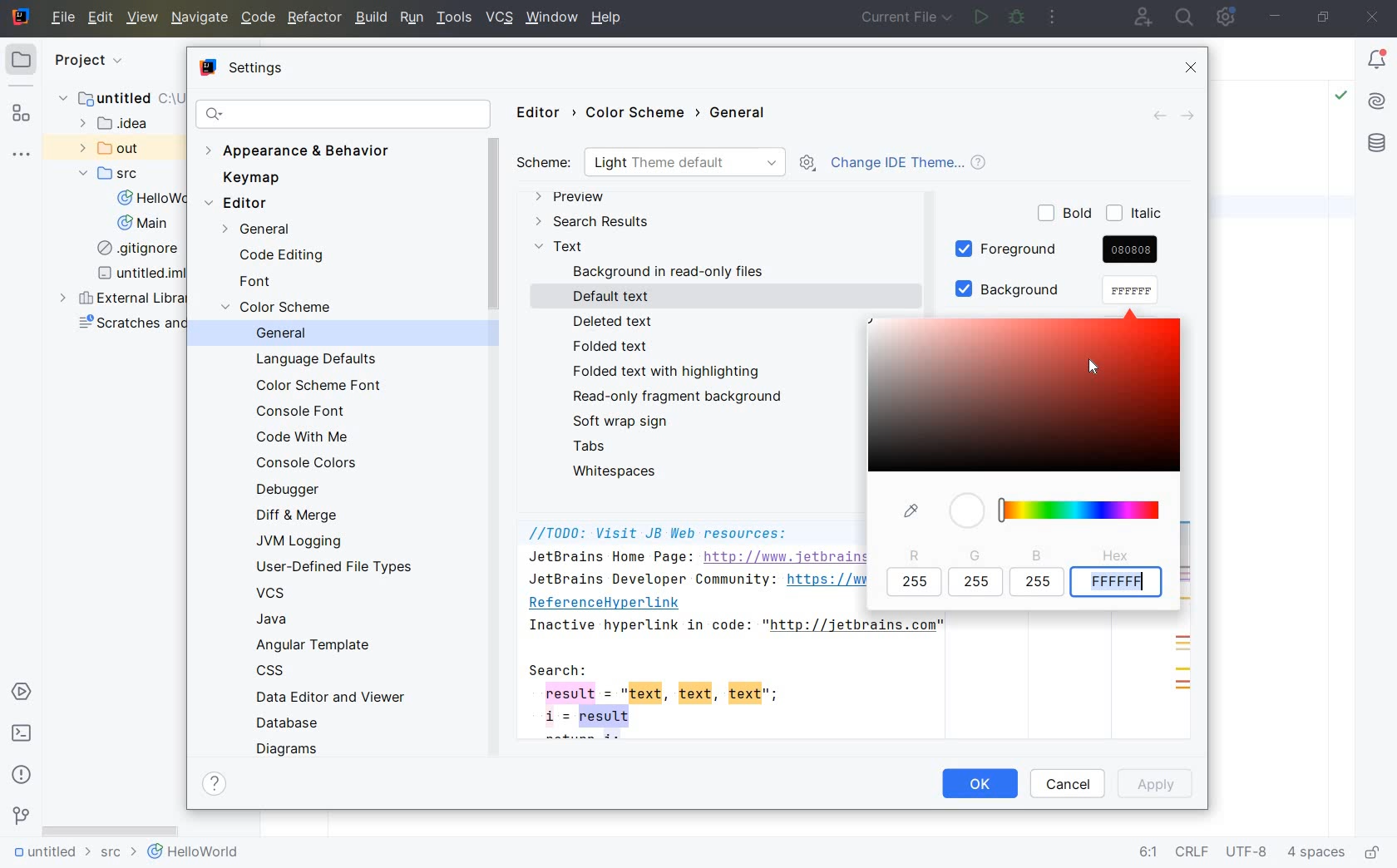 The image size is (1397, 868). What do you see at coordinates (592, 223) in the screenshot?
I see `SEARCH RESULTS` at bounding box center [592, 223].